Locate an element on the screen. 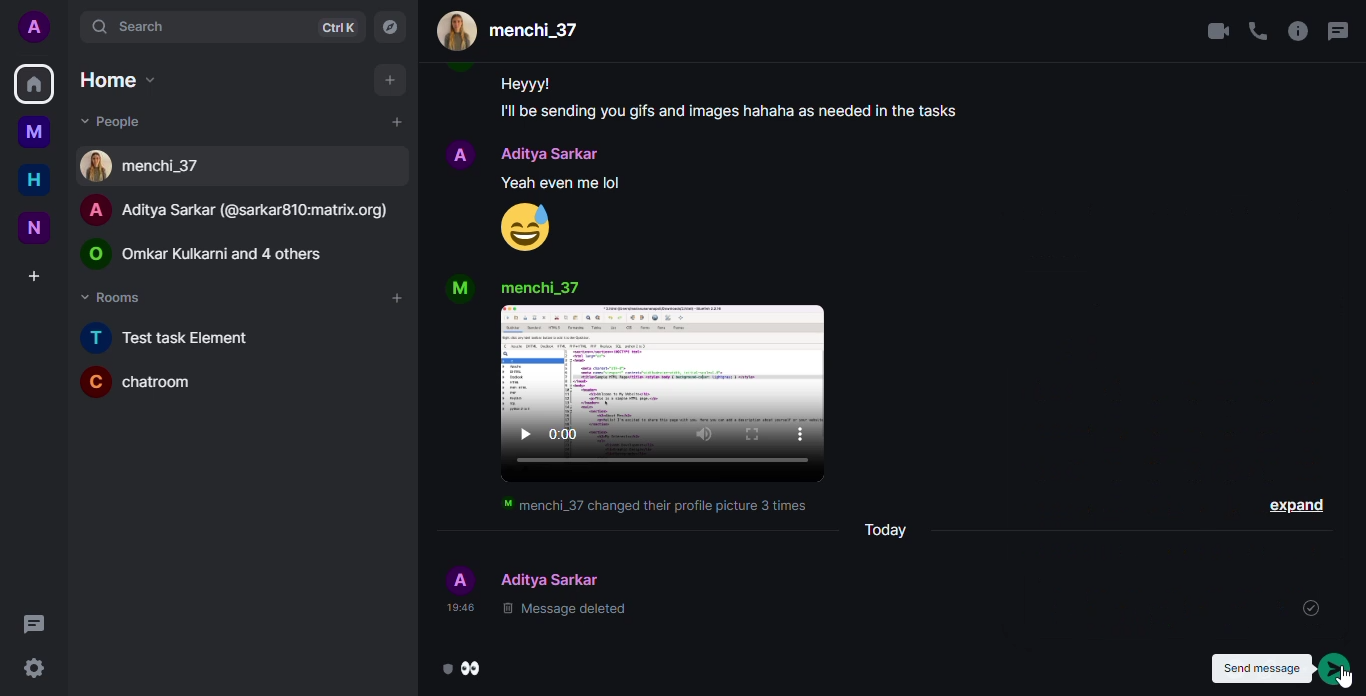 This screenshot has height=696, width=1366. message deleted is located at coordinates (566, 610).